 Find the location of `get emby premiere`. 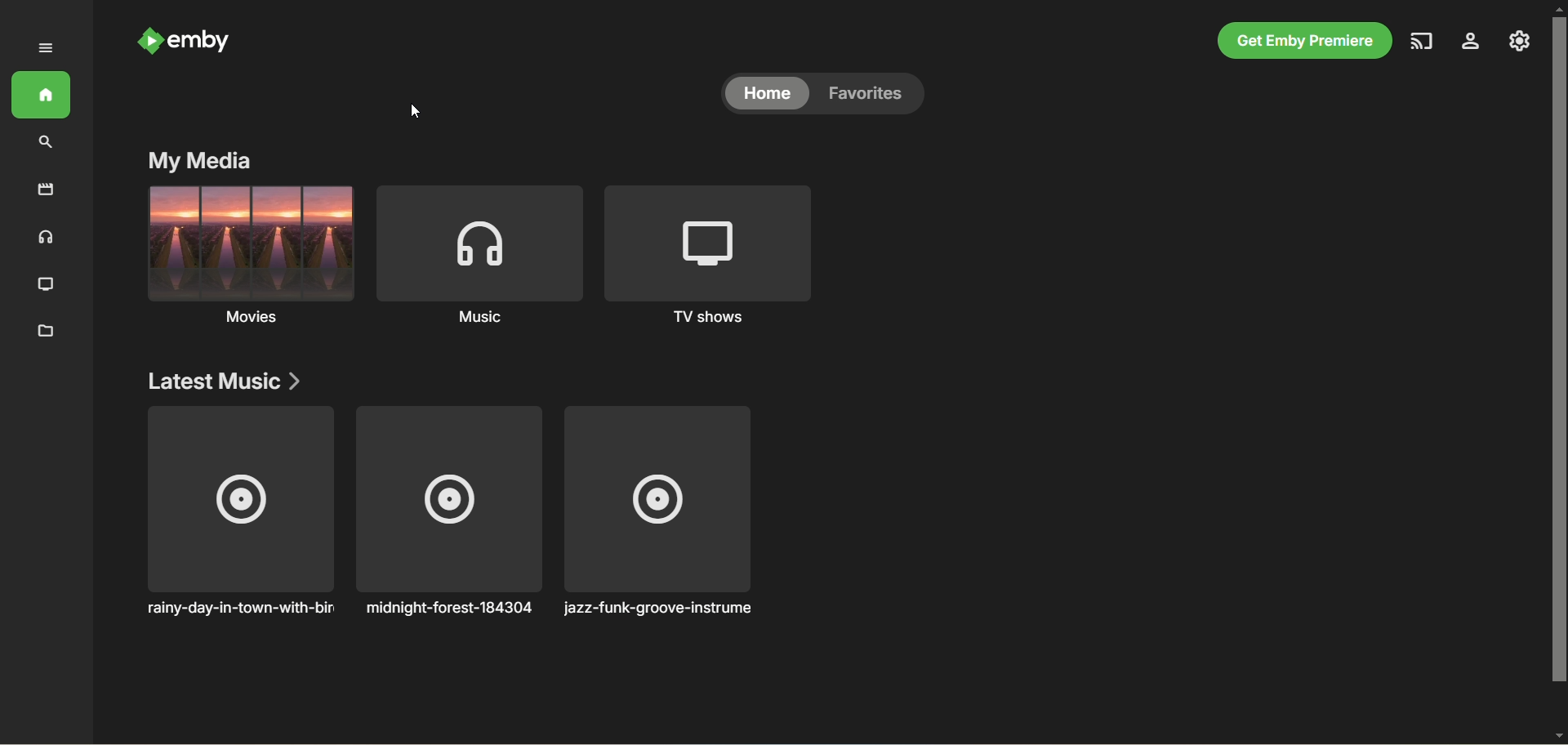

get emby premiere is located at coordinates (1307, 41).